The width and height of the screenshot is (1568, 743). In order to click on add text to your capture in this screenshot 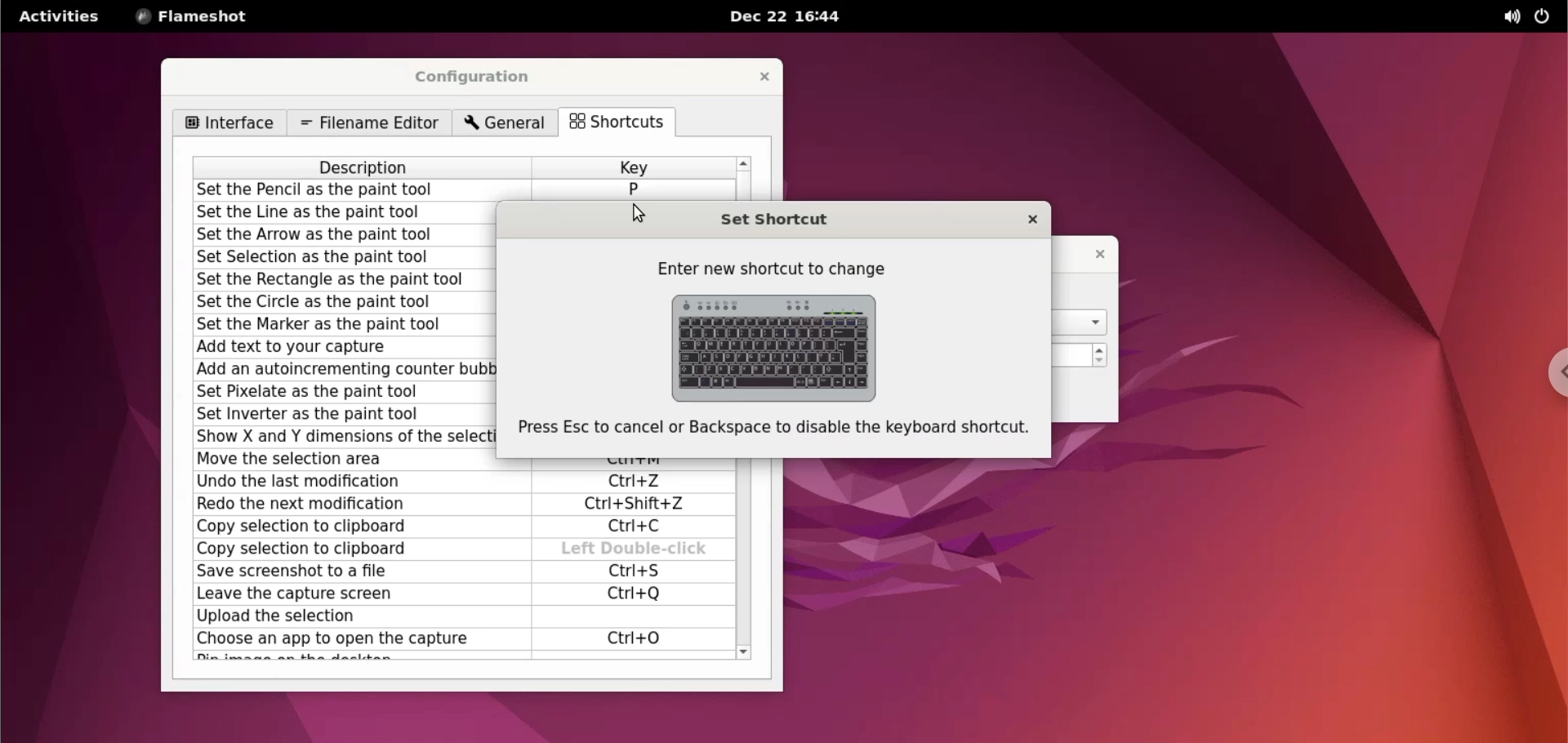, I will do `click(341, 347)`.